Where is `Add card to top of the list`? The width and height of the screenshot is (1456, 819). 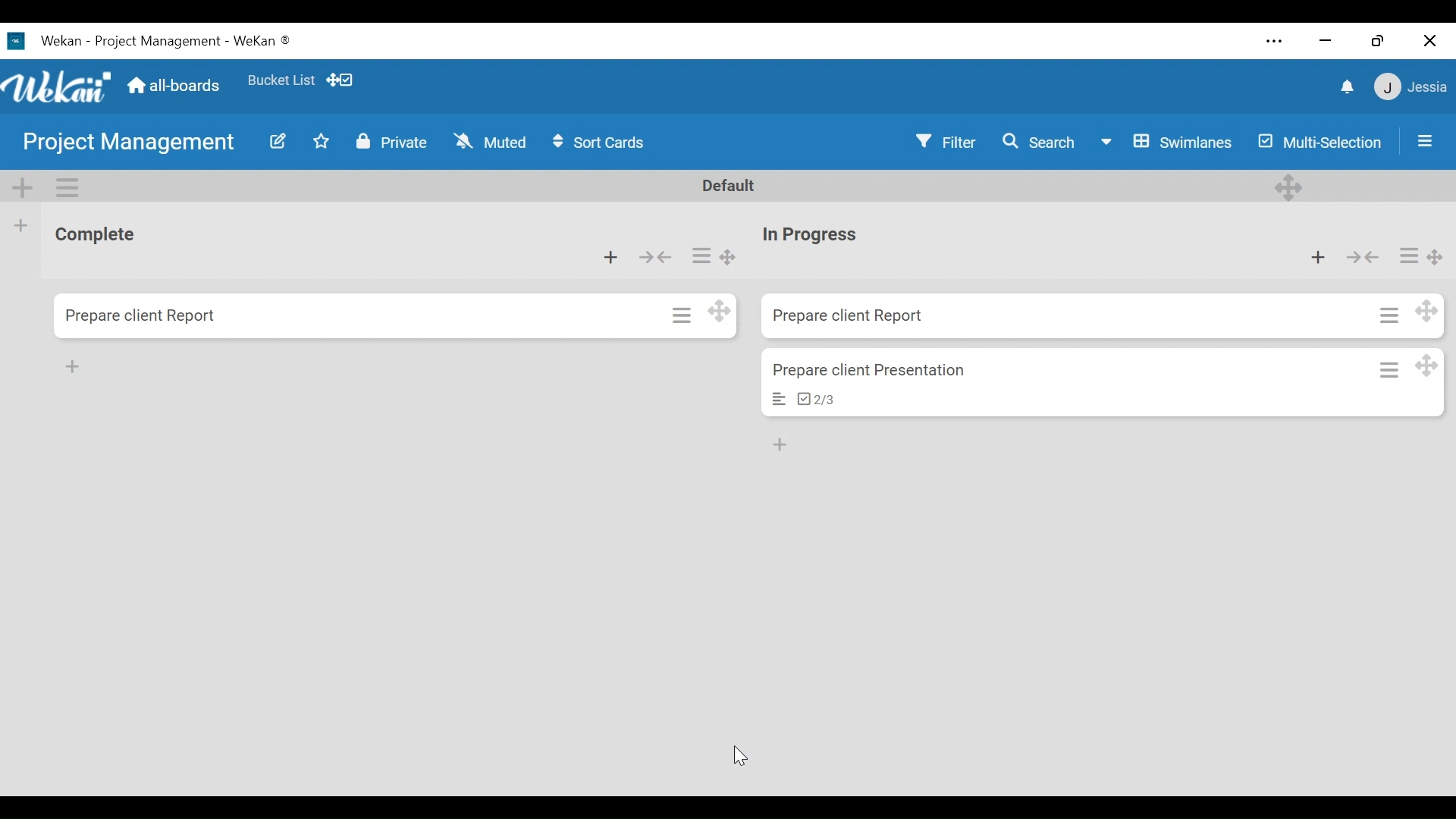 Add card to top of the list is located at coordinates (1316, 257).